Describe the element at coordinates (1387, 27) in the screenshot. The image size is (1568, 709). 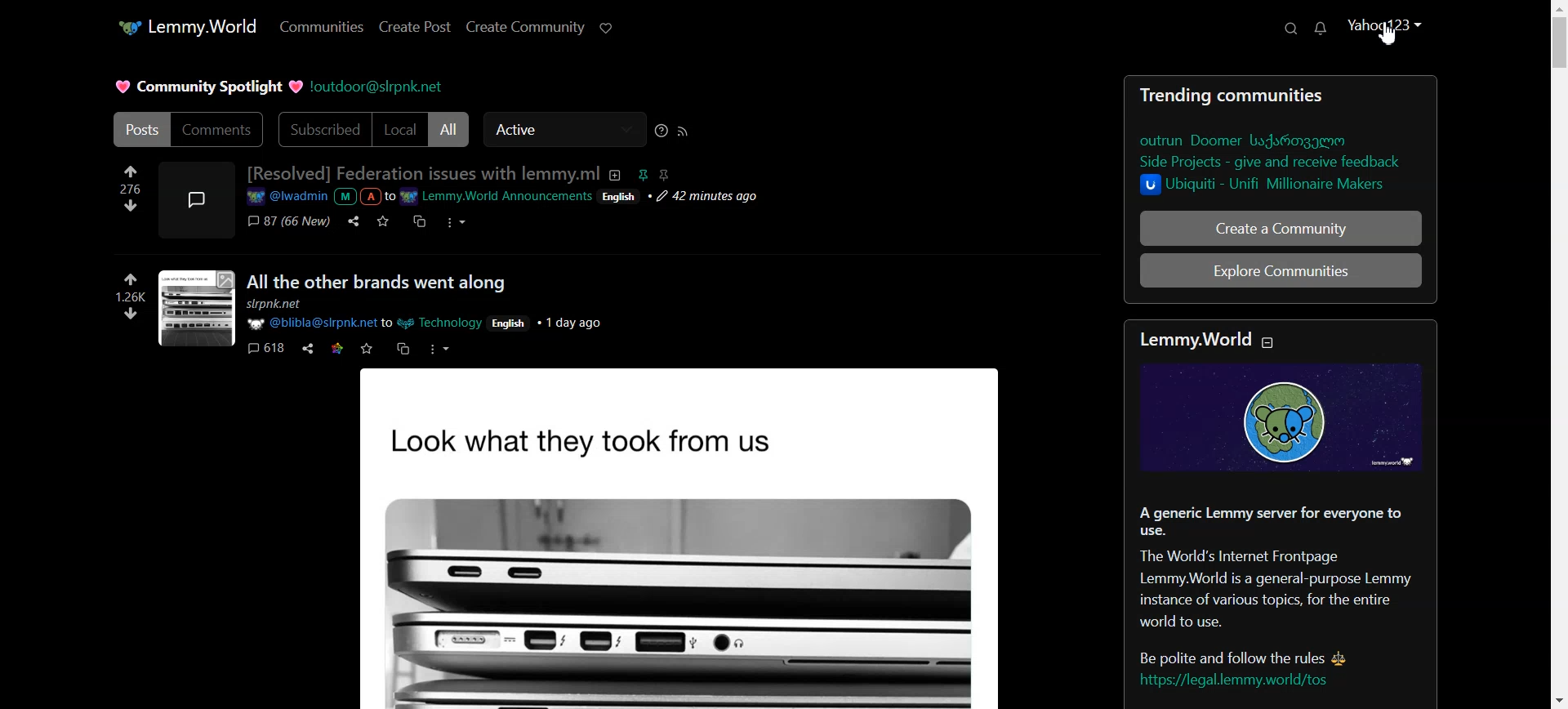
I see `yahoo123` at that location.